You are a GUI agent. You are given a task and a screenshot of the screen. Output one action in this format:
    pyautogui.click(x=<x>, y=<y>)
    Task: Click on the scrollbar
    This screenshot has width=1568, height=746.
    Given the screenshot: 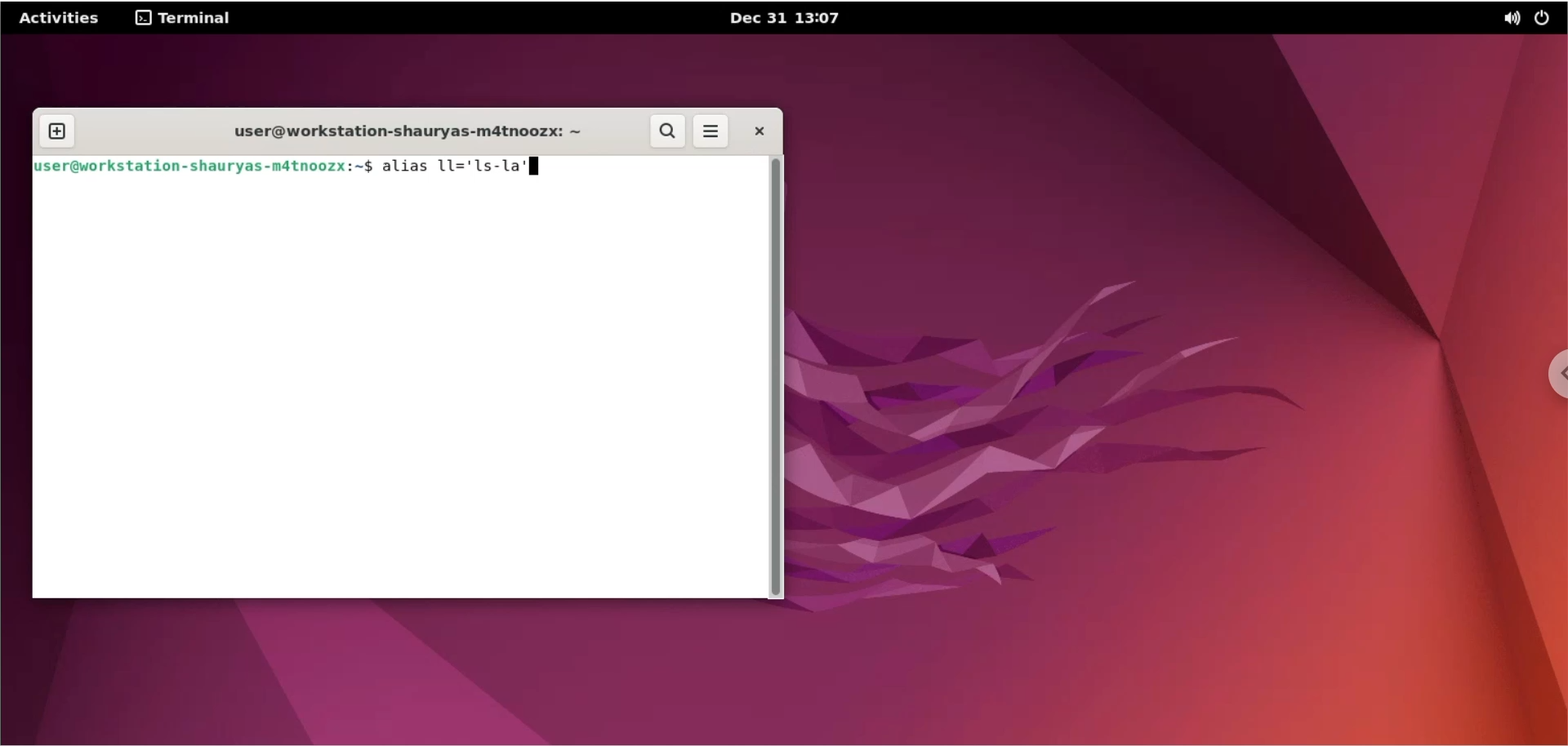 What is the action you would take?
    pyautogui.click(x=781, y=376)
    